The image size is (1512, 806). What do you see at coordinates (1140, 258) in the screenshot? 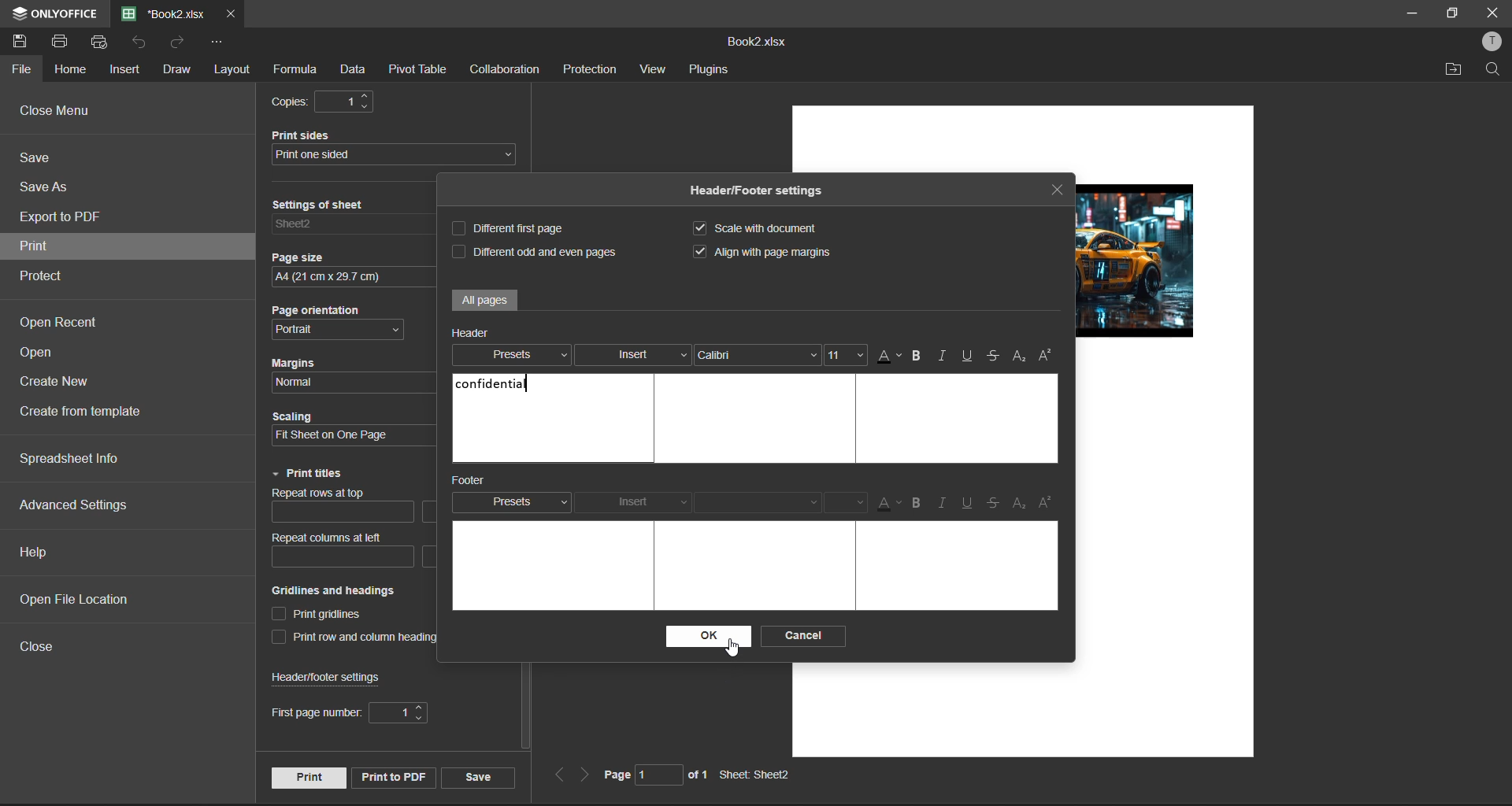
I see `picture` at bounding box center [1140, 258].